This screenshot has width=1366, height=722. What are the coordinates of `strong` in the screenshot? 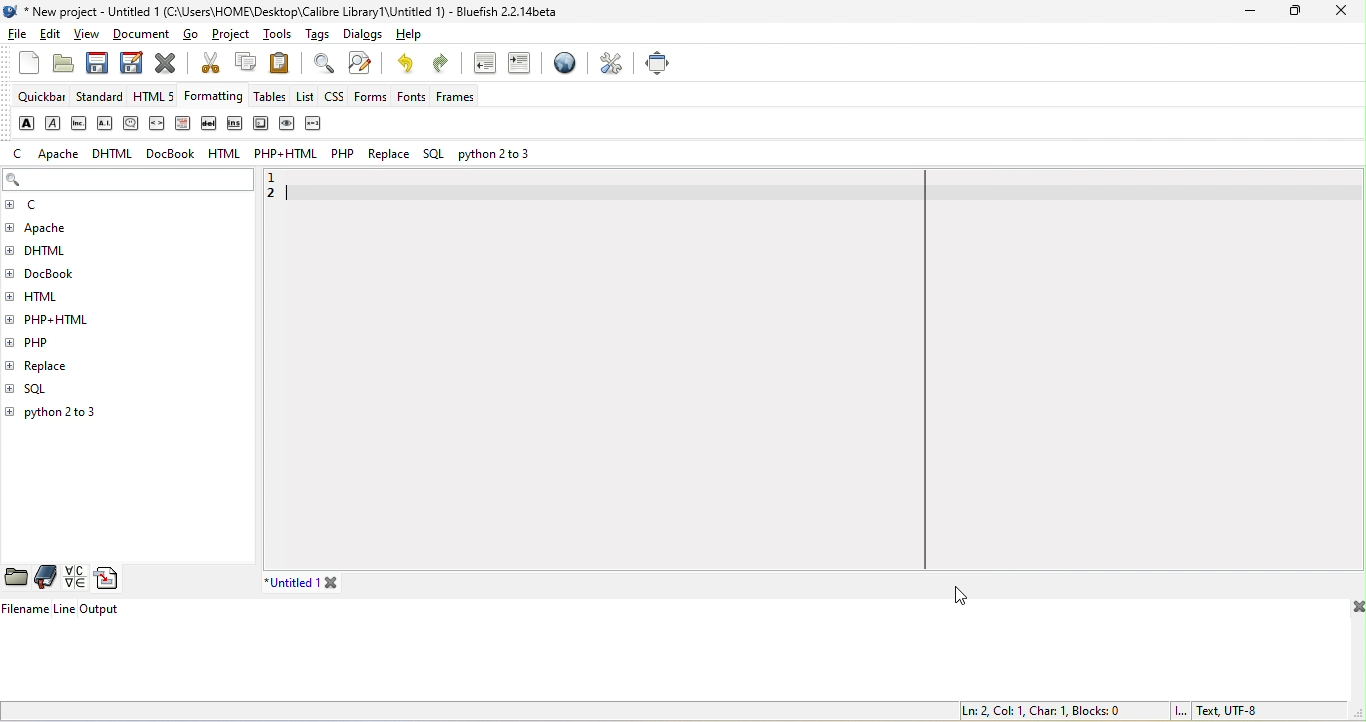 It's located at (24, 122).